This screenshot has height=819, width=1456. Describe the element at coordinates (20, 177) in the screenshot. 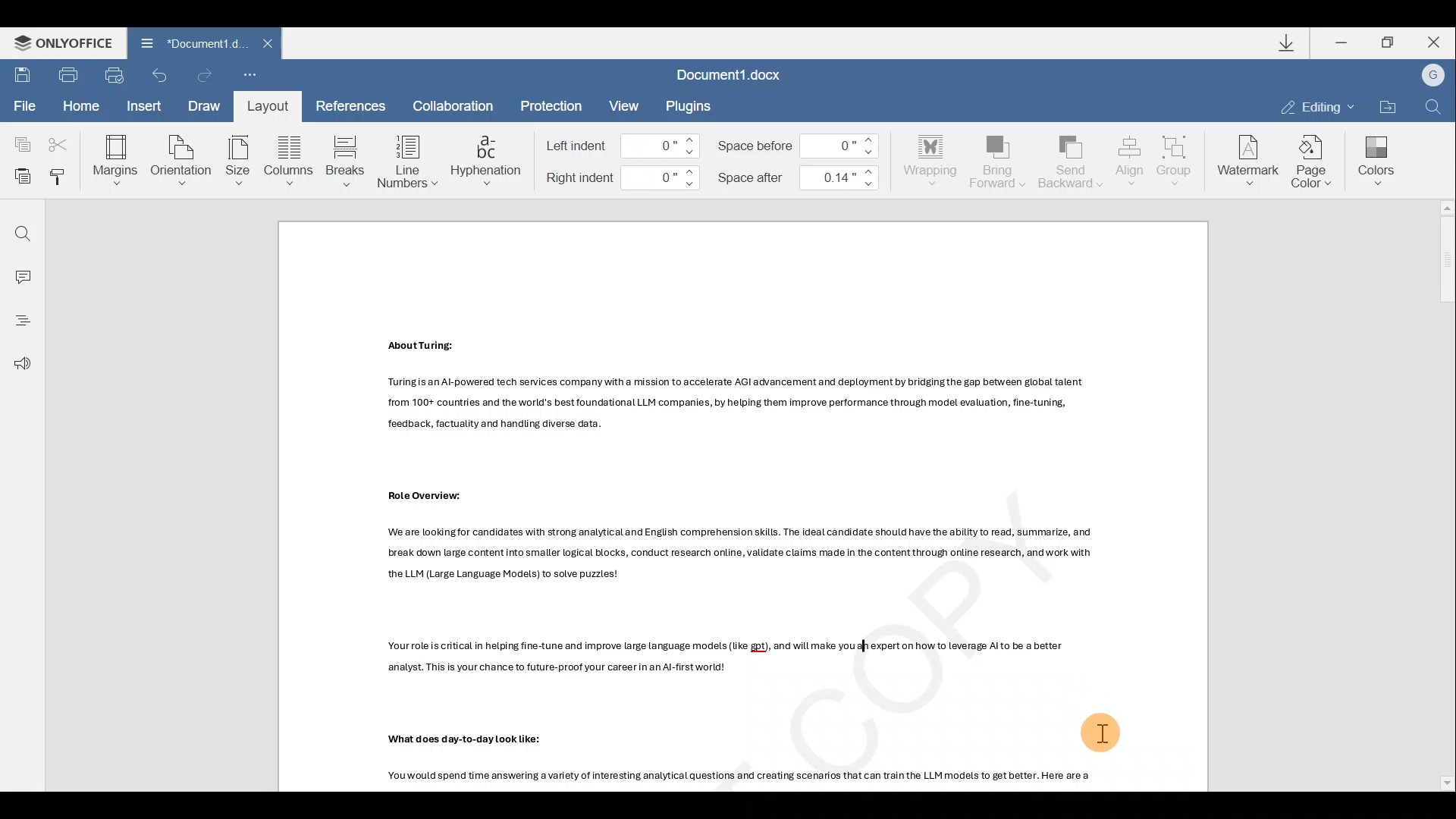

I see `Paste` at that location.